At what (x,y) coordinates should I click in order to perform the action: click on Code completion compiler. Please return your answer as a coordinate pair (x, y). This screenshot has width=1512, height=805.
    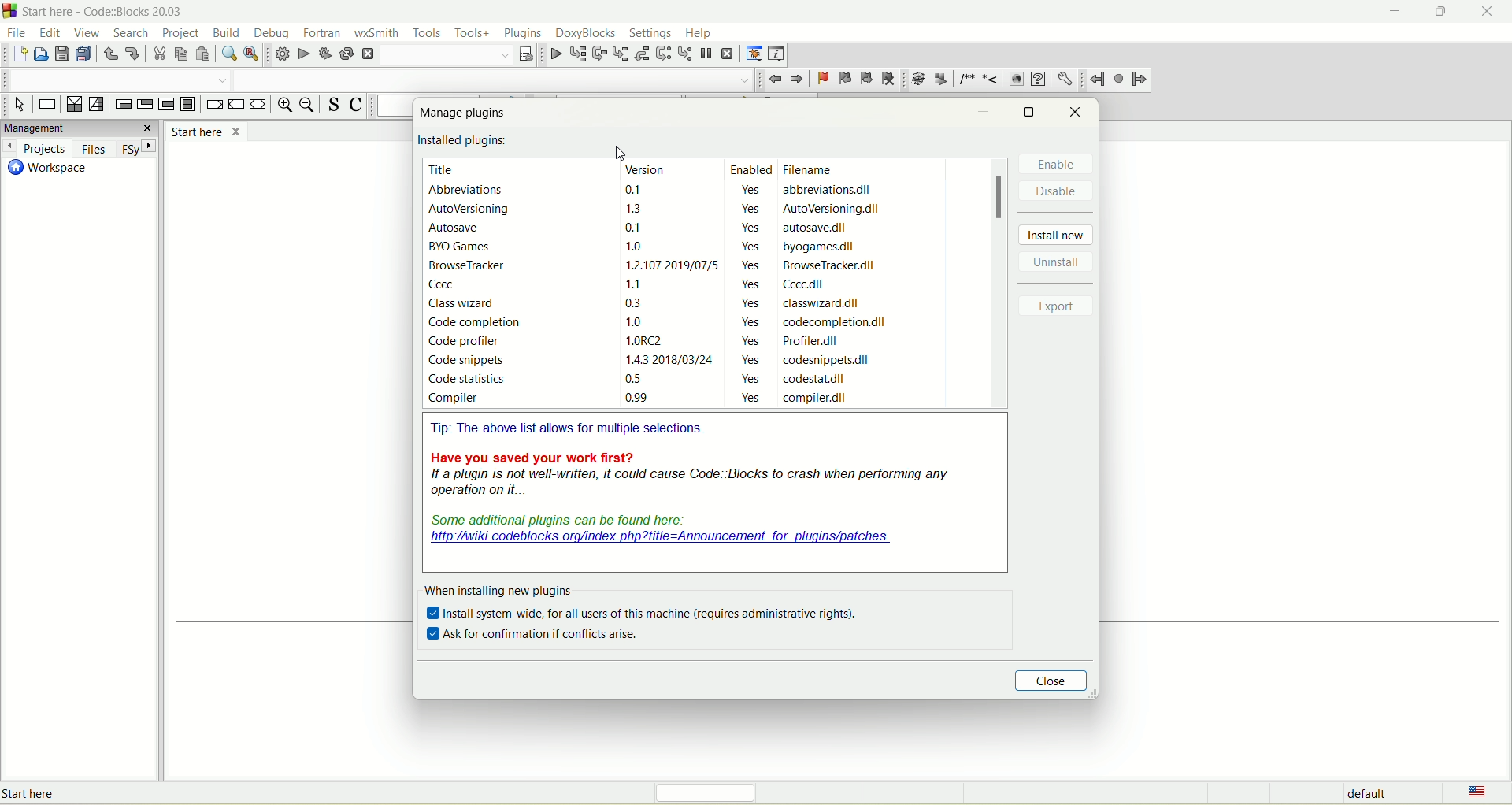
    Looking at the image, I should click on (493, 79).